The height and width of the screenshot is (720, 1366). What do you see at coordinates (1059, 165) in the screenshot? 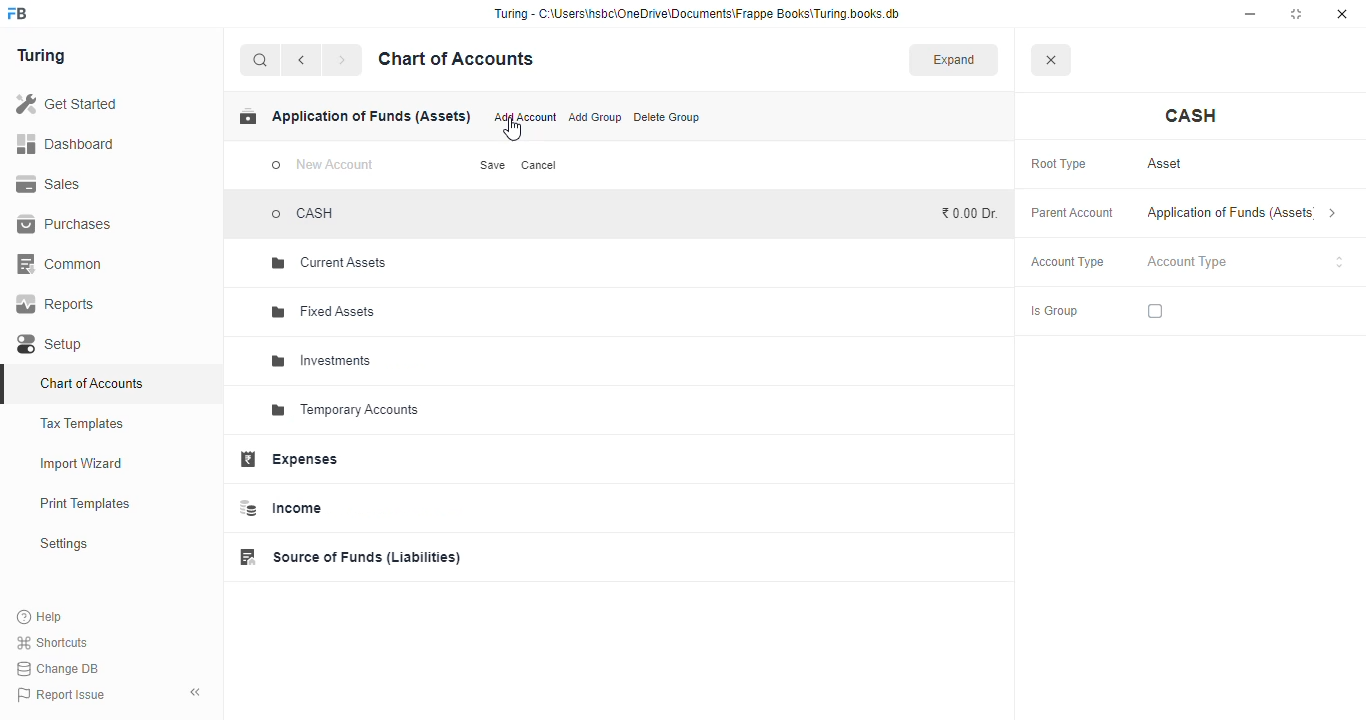
I see `root type` at bounding box center [1059, 165].